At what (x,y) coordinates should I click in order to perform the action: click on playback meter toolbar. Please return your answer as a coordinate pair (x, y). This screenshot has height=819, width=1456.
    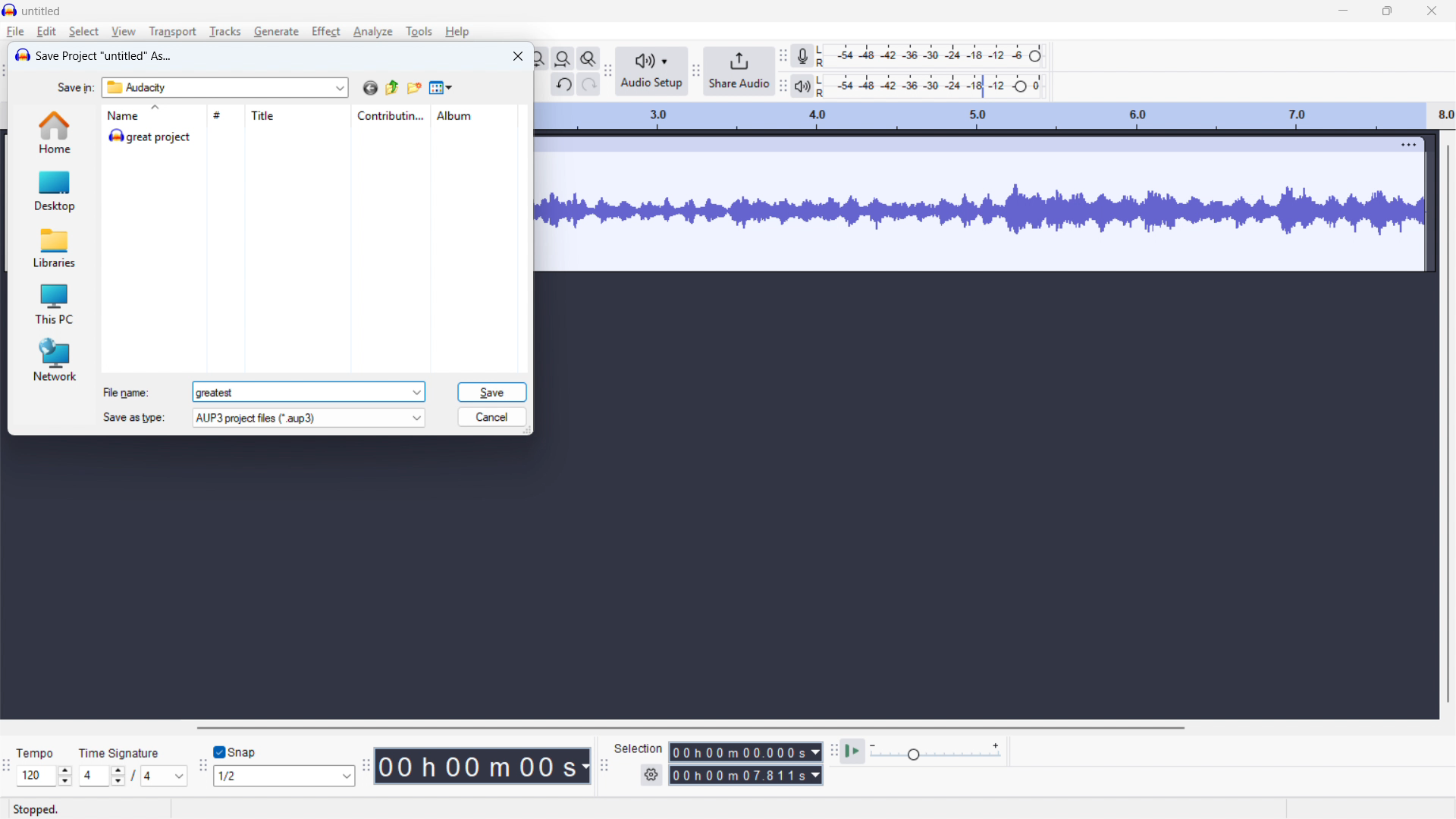
    Looking at the image, I should click on (783, 87).